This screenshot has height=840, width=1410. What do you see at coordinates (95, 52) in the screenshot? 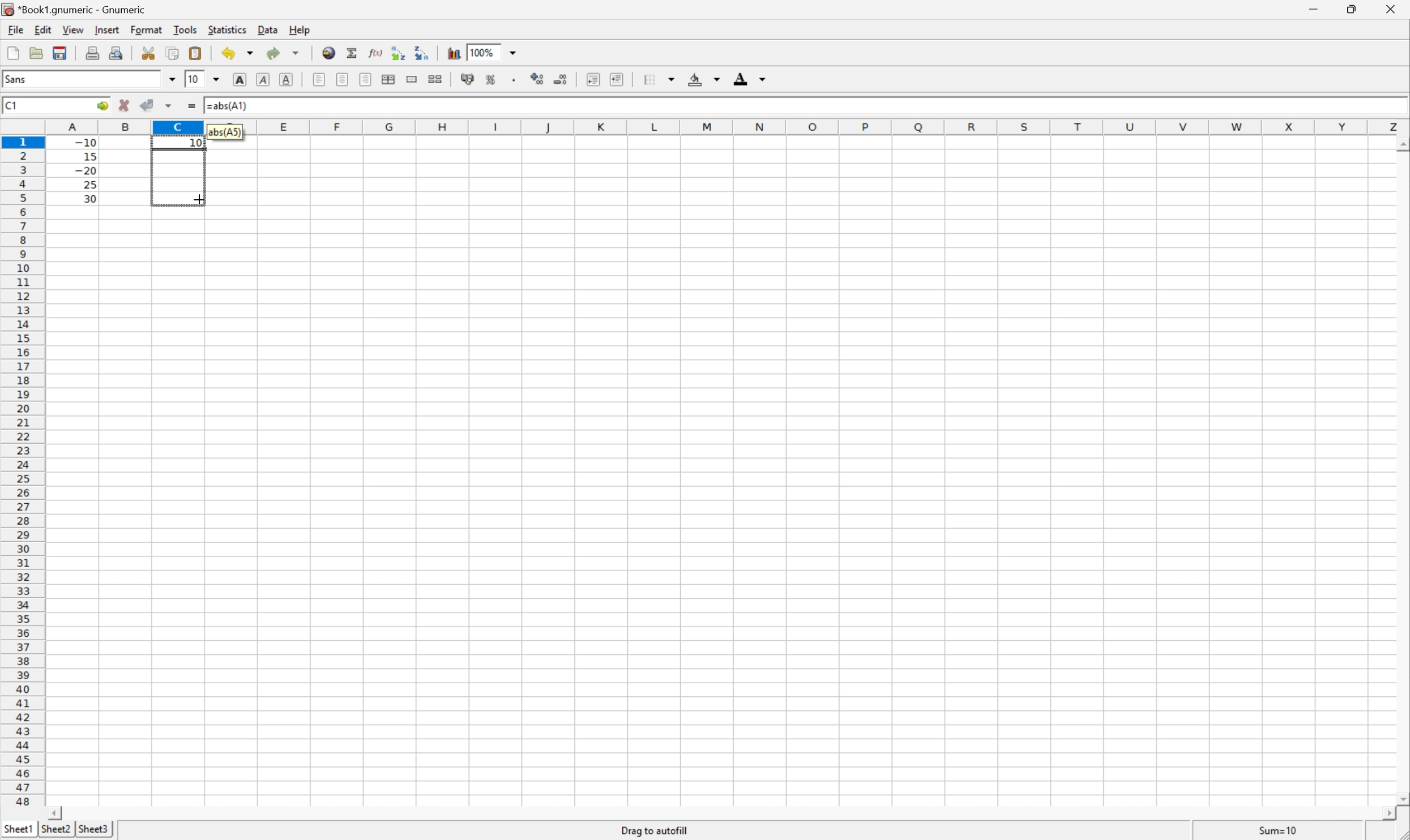
I see `Print the current File` at bounding box center [95, 52].